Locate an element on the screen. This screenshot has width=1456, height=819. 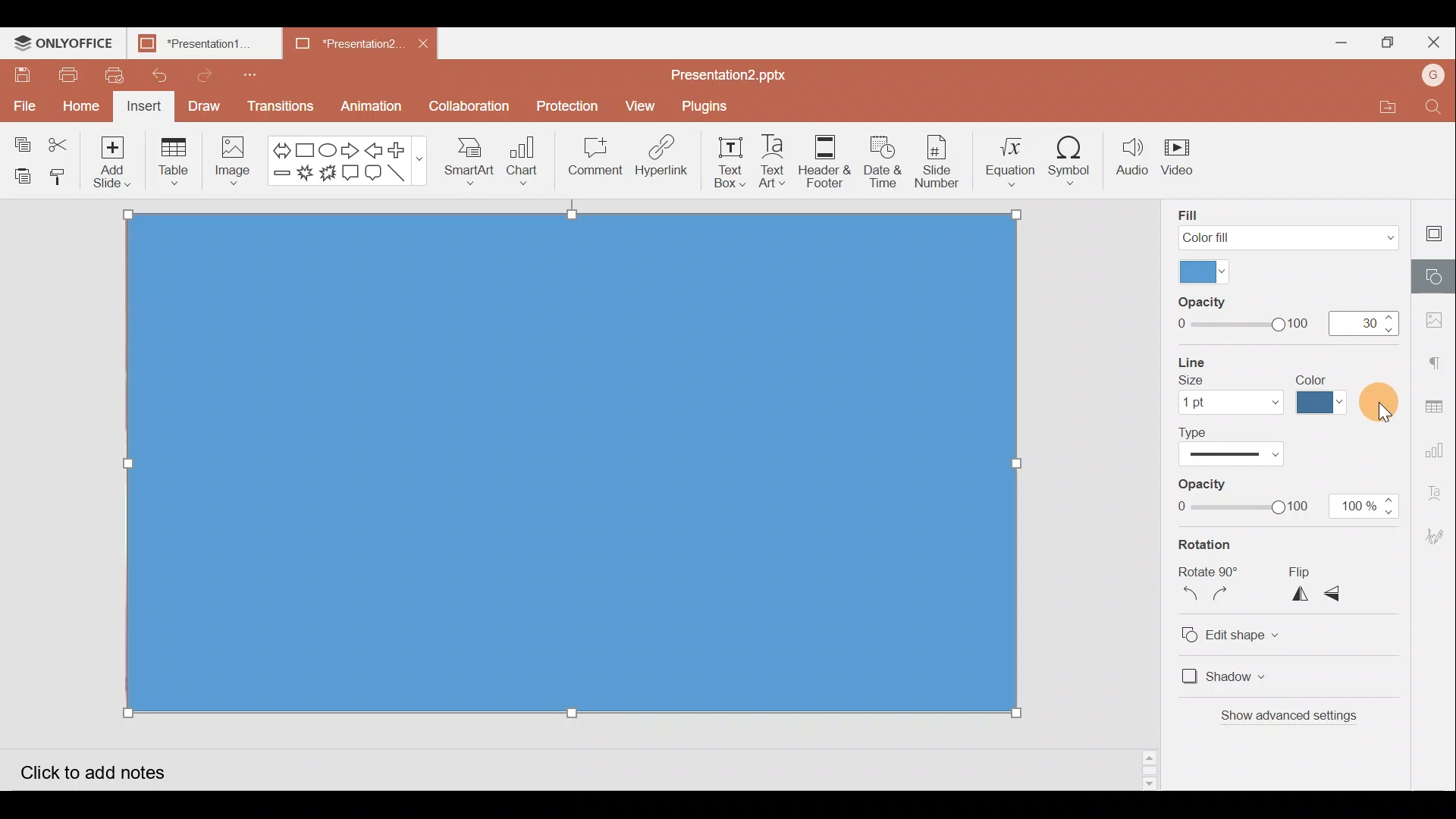
Line is located at coordinates (402, 175).